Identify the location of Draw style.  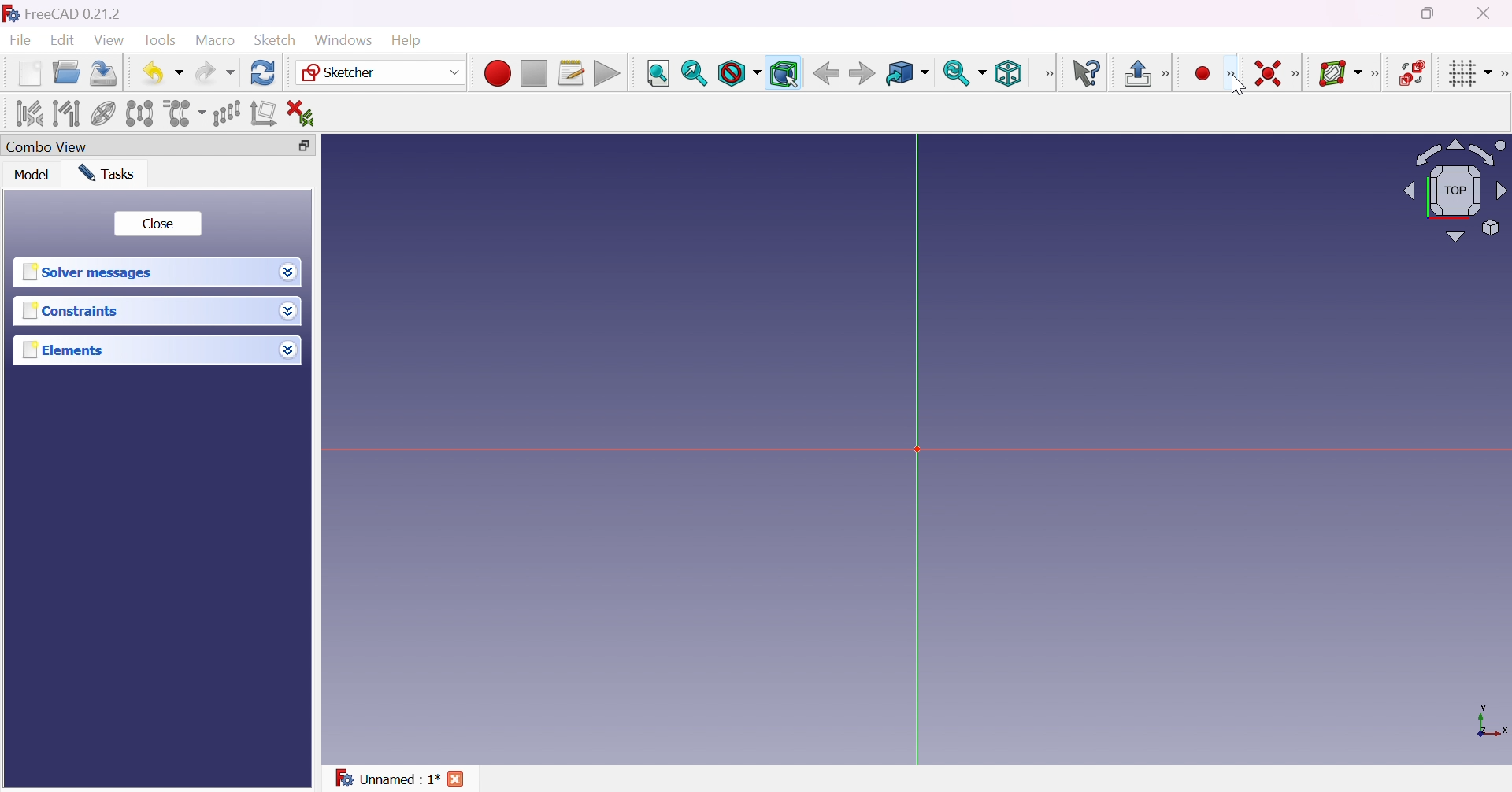
(738, 73).